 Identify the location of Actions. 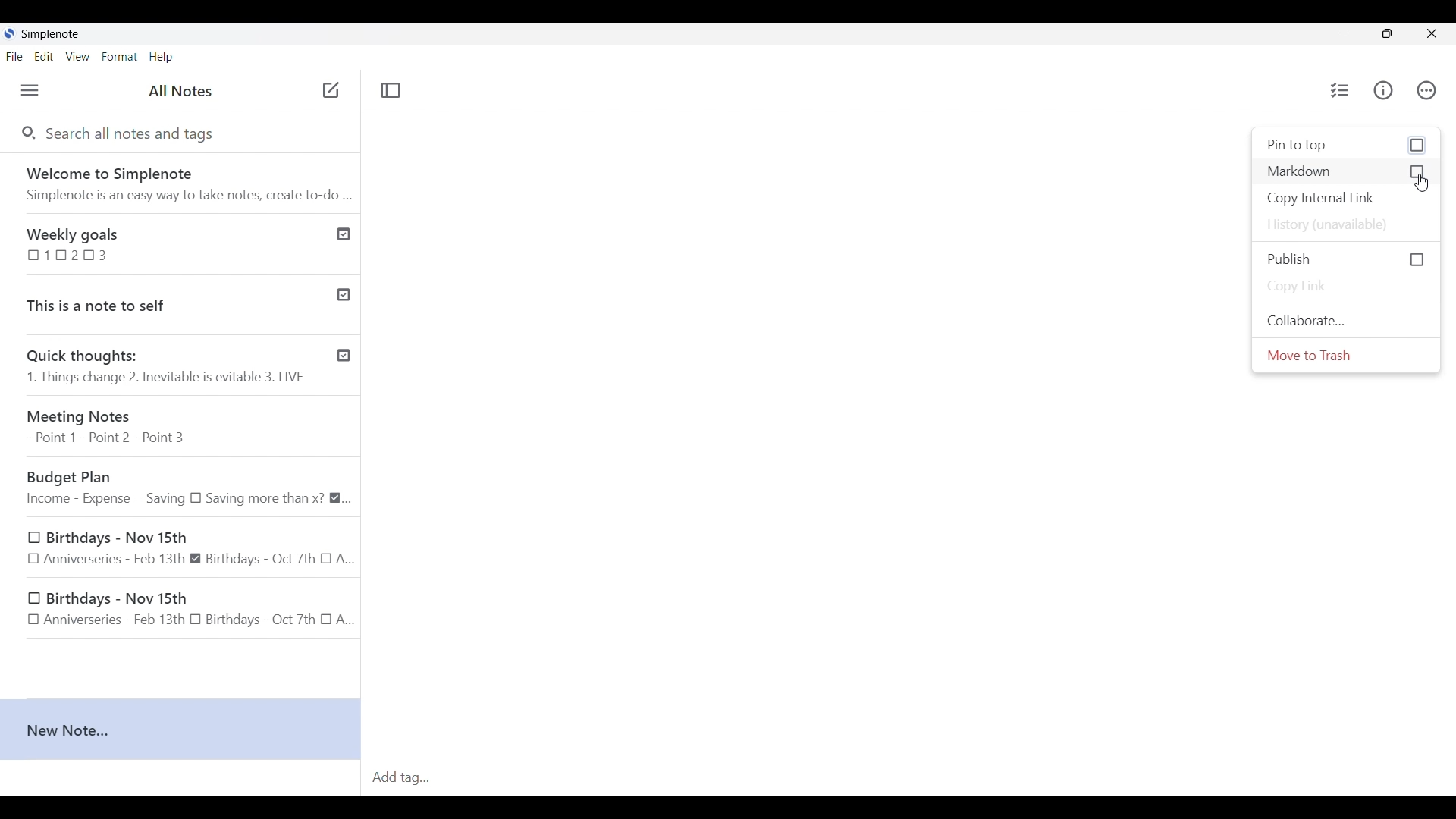
(1427, 89).